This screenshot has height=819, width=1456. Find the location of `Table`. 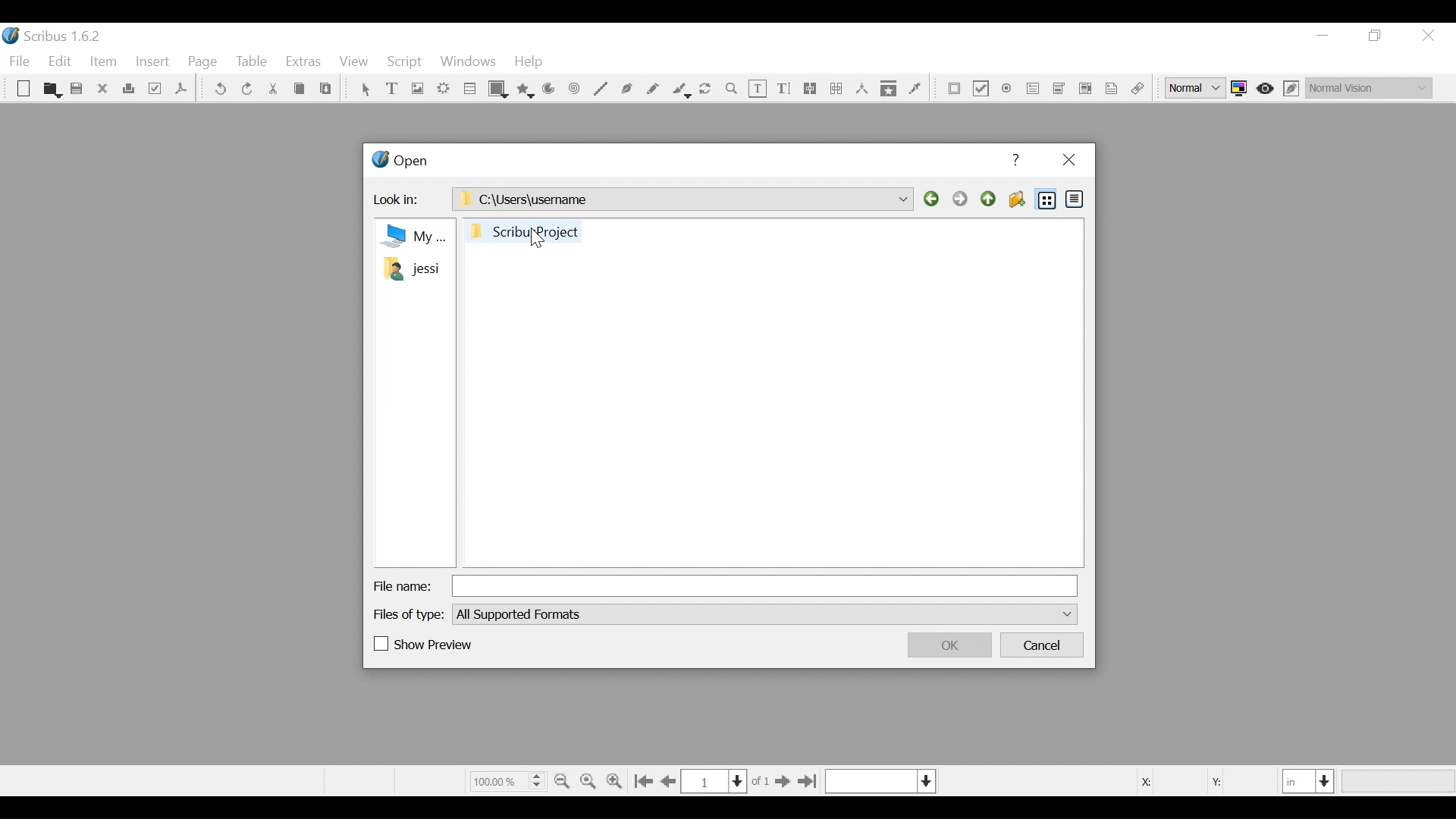

Table is located at coordinates (253, 63).